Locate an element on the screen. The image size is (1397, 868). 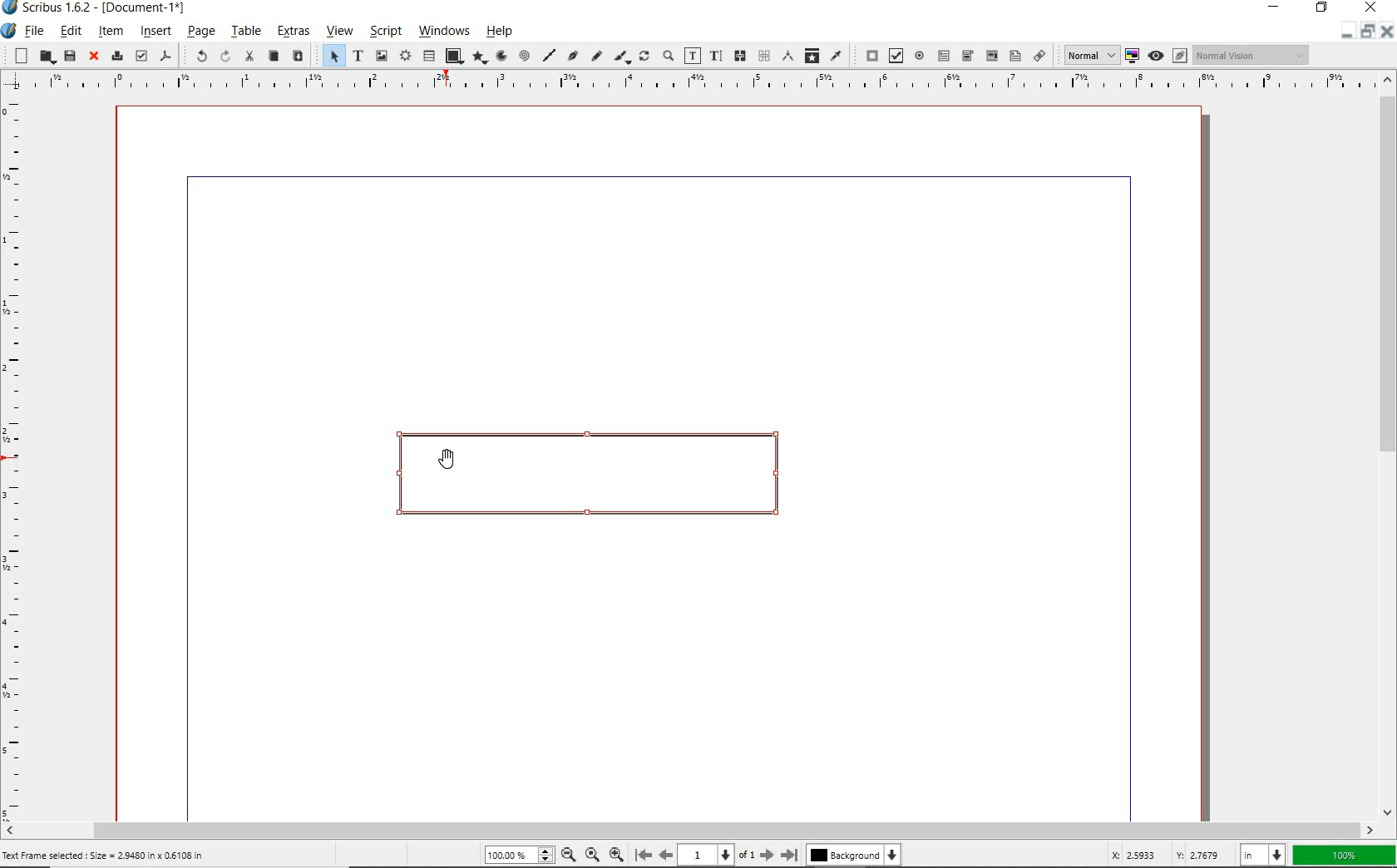
normal is located at coordinates (1088, 55).